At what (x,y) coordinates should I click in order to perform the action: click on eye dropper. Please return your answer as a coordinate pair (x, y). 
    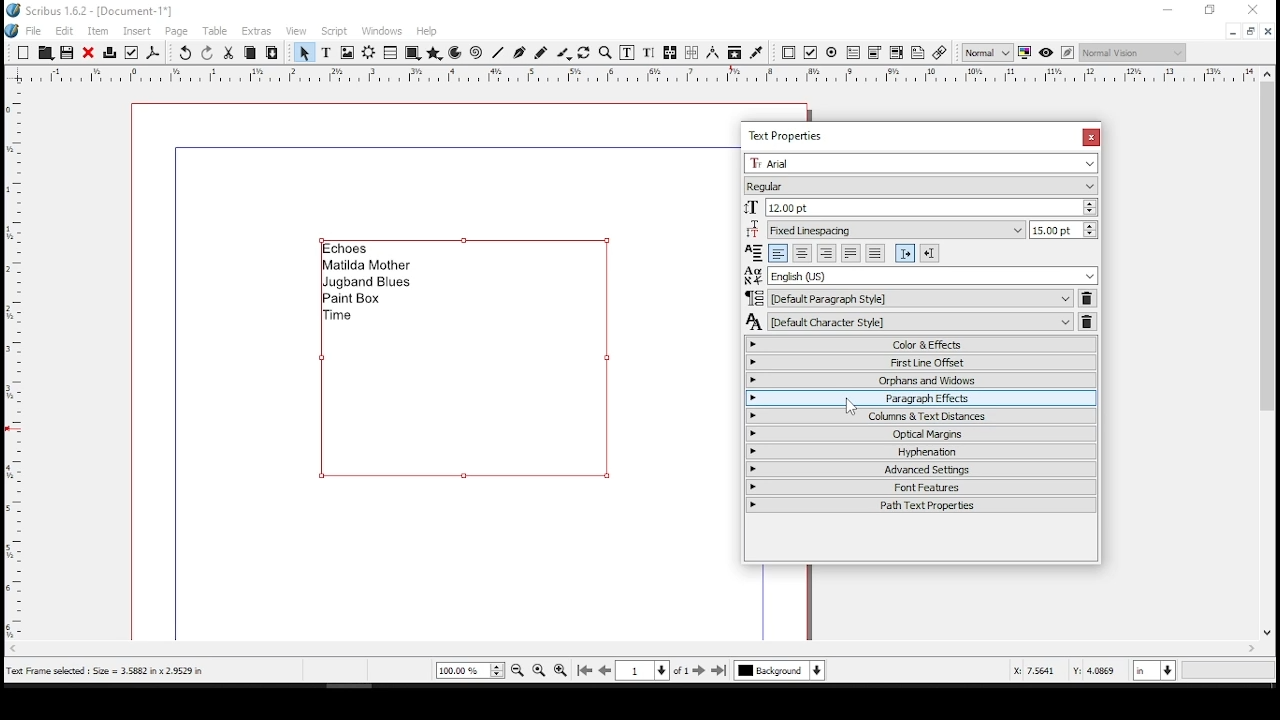
    Looking at the image, I should click on (756, 52).